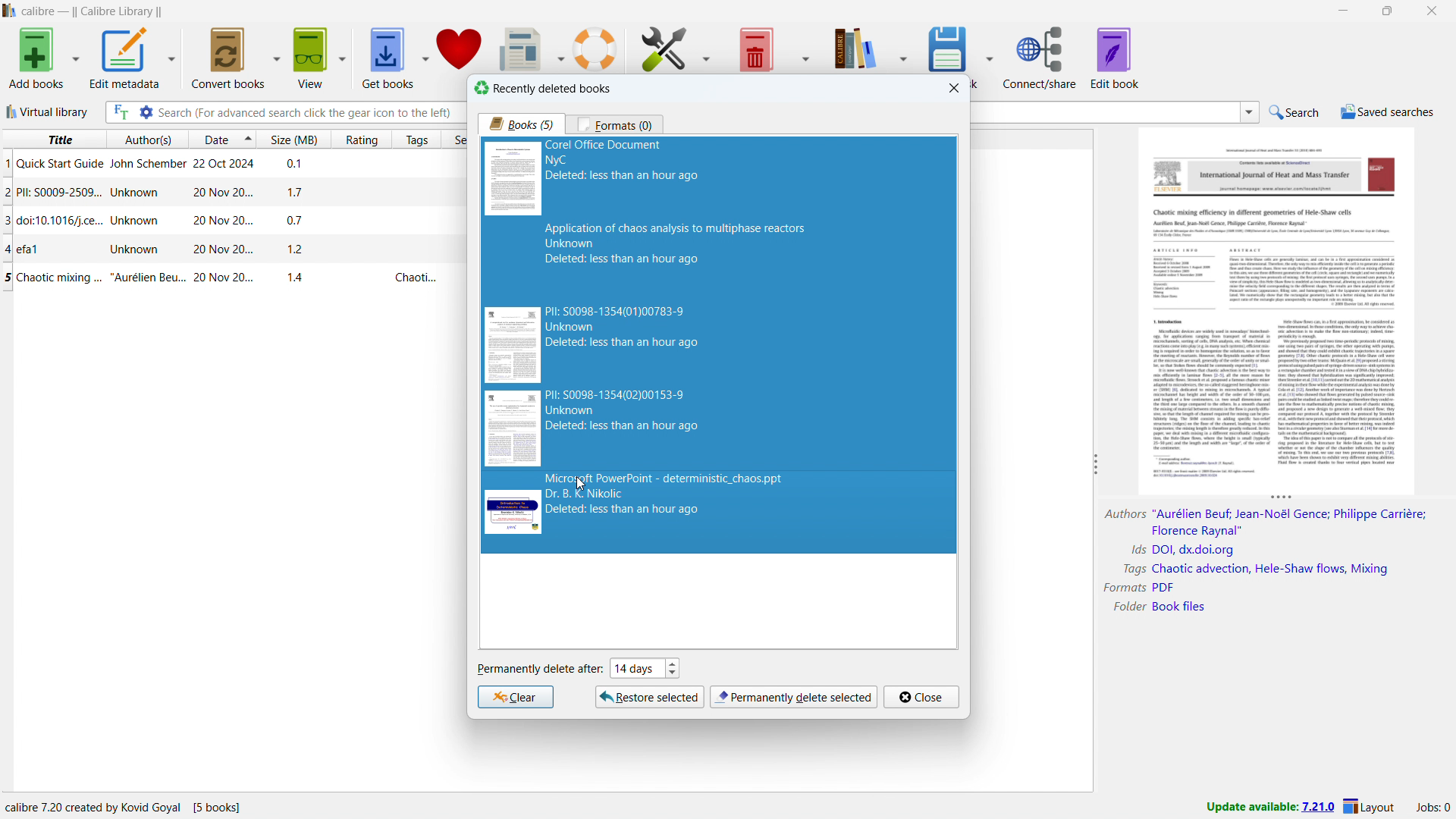  What do you see at coordinates (312, 58) in the screenshot?
I see `view` at bounding box center [312, 58].